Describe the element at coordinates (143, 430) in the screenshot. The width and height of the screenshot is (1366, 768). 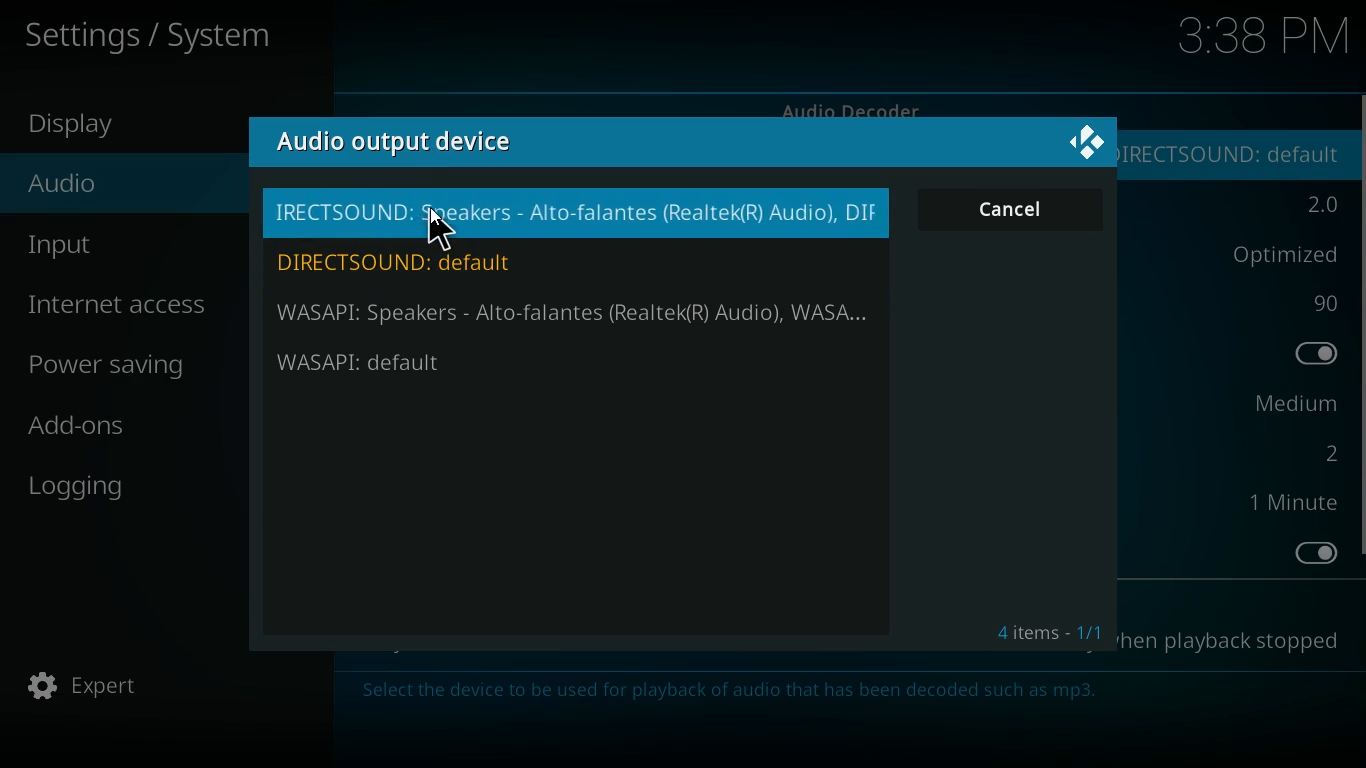
I see `add-ons` at that location.